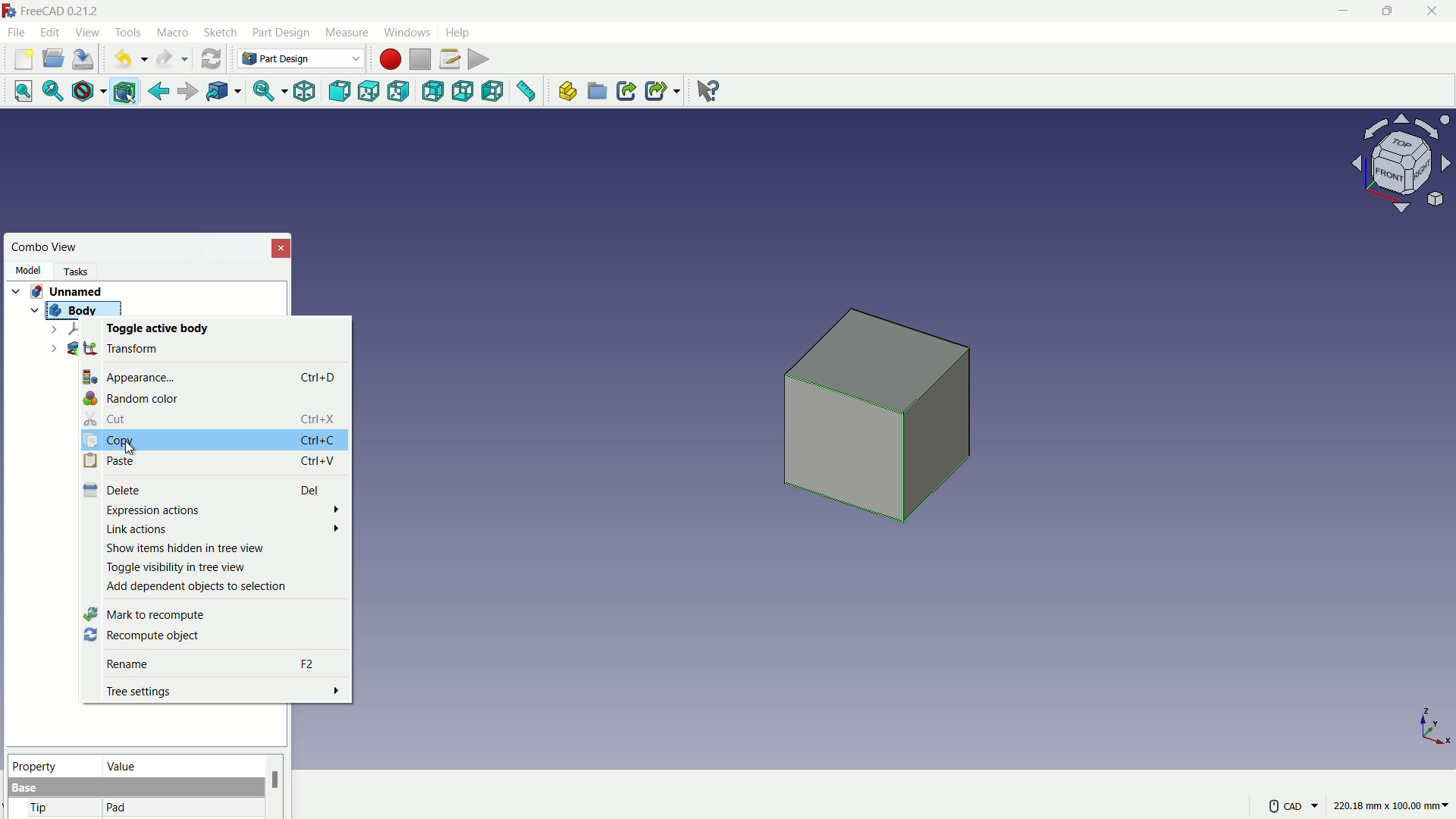  What do you see at coordinates (494, 93) in the screenshot?
I see `left view` at bounding box center [494, 93].